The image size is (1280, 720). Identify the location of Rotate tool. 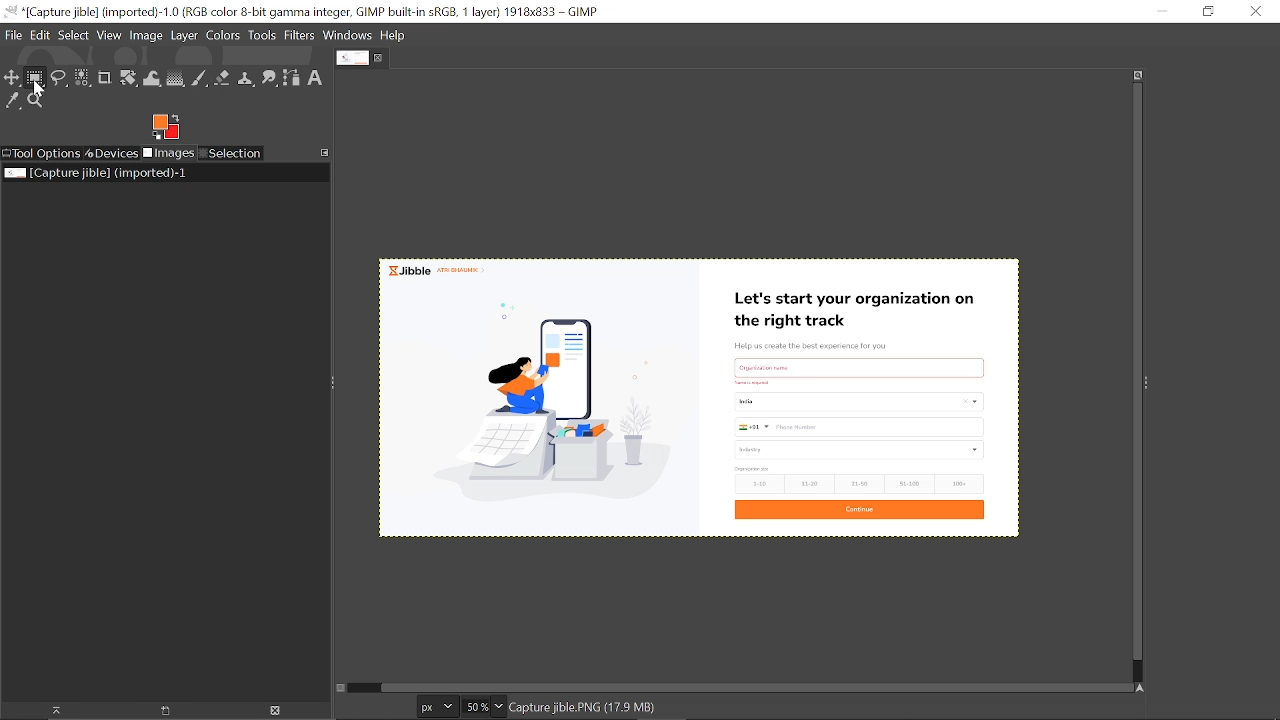
(128, 79).